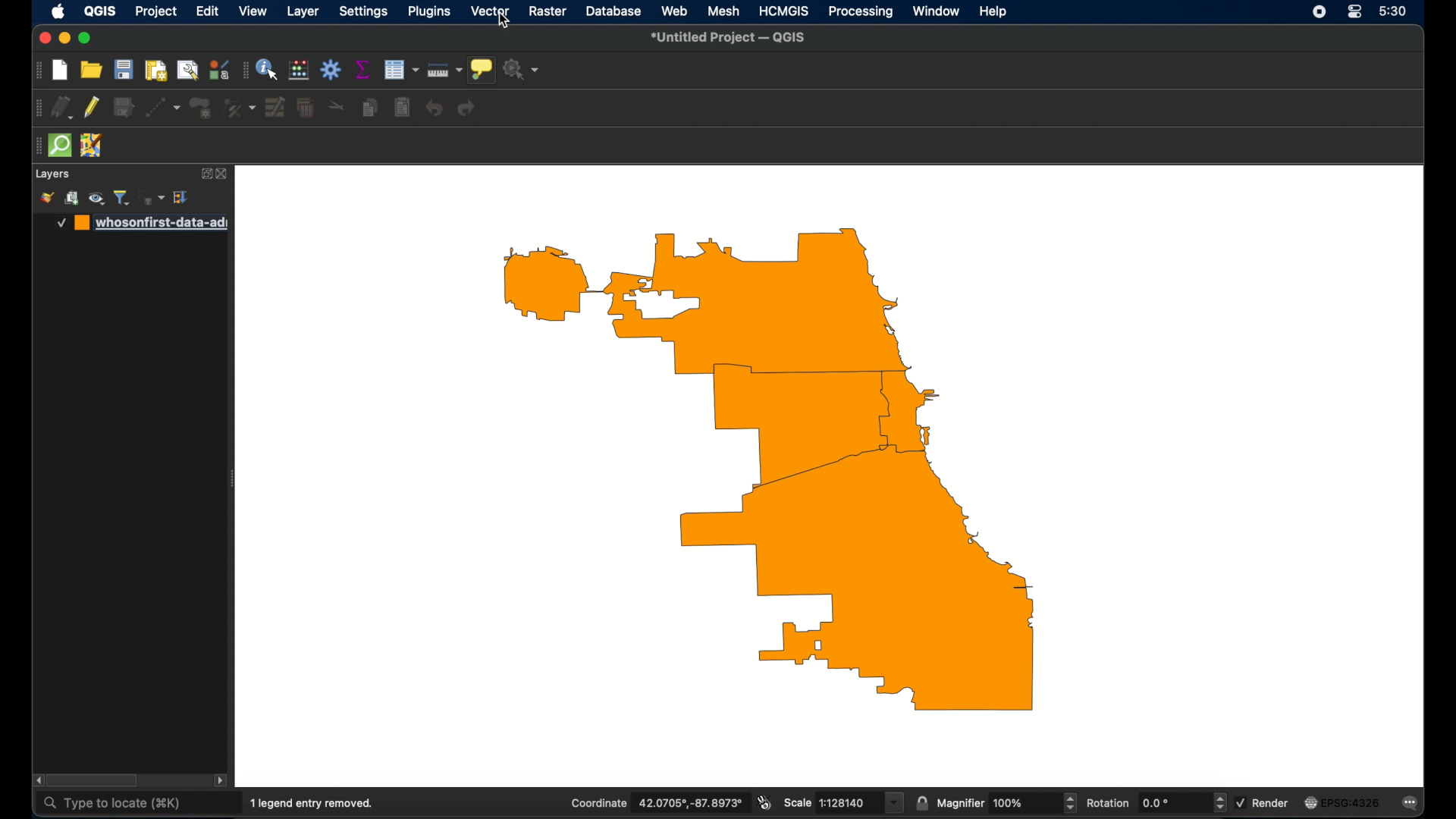 This screenshot has height=819, width=1456. Describe the element at coordinates (783, 11) in the screenshot. I see `HCMGIS` at that location.